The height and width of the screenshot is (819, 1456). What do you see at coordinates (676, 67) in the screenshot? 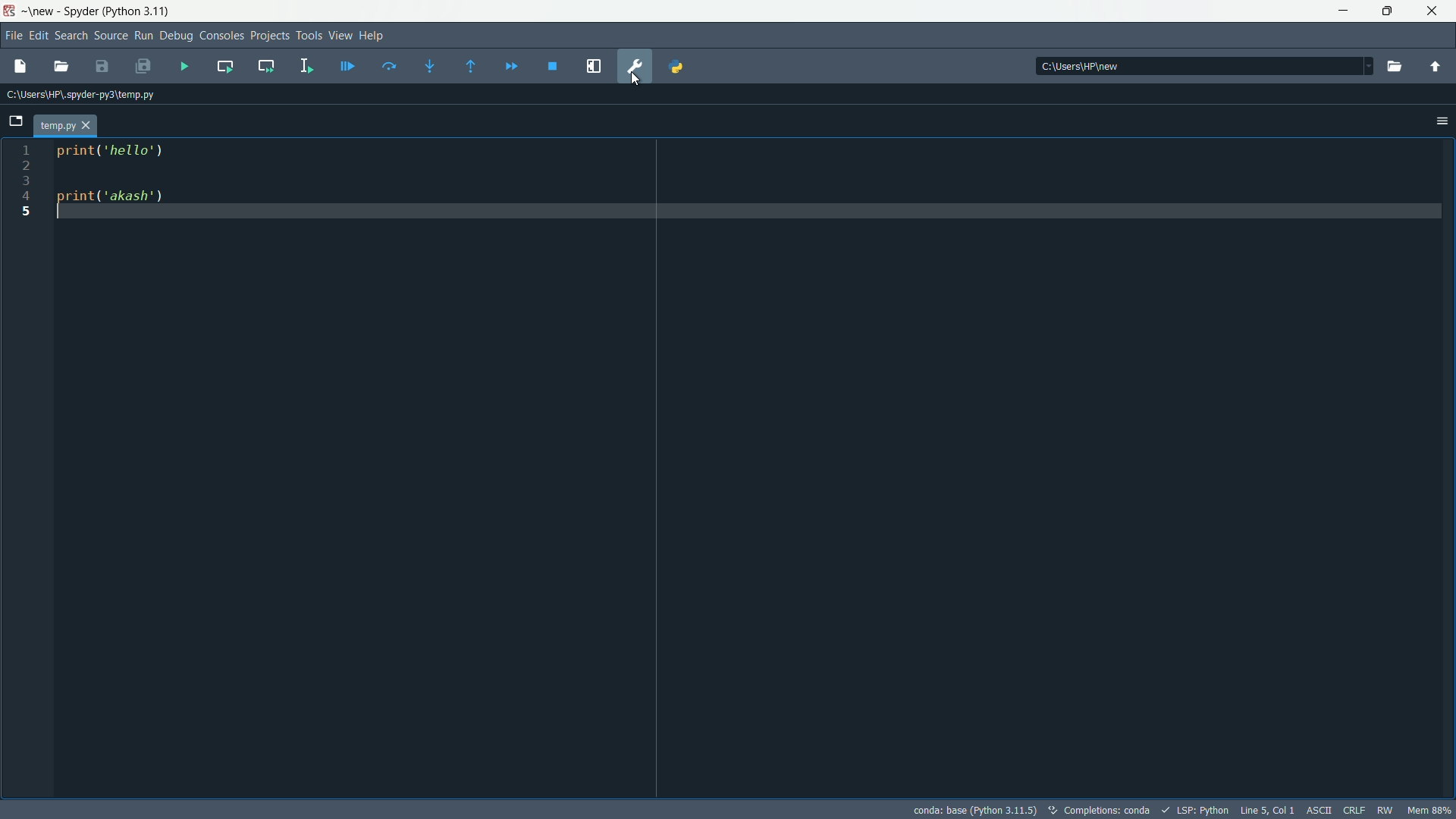
I see `python path manager` at bounding box center [676, 67].